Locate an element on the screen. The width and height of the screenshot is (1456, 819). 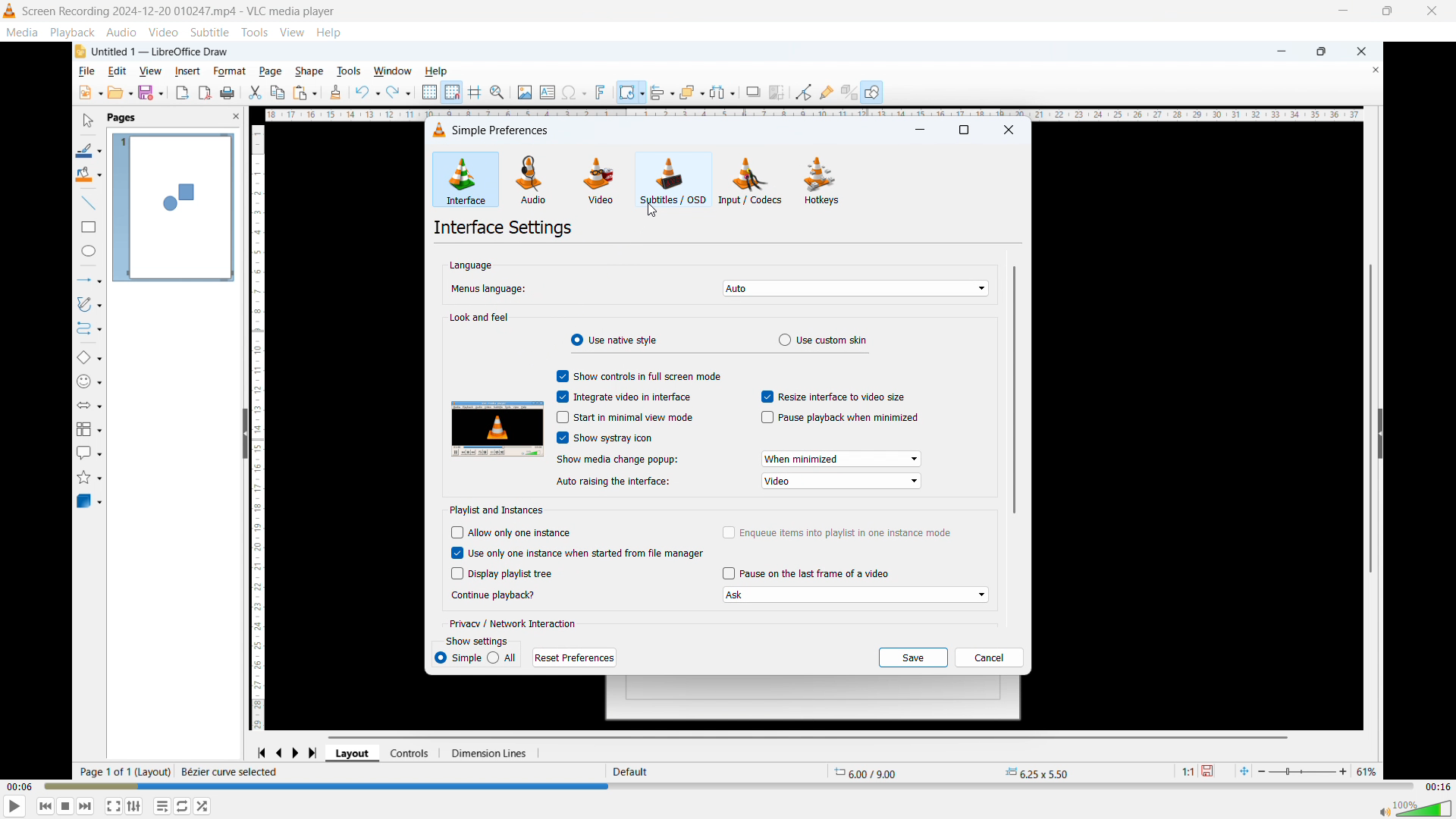
Toggle playlist  is located at coordinates (134, 806).